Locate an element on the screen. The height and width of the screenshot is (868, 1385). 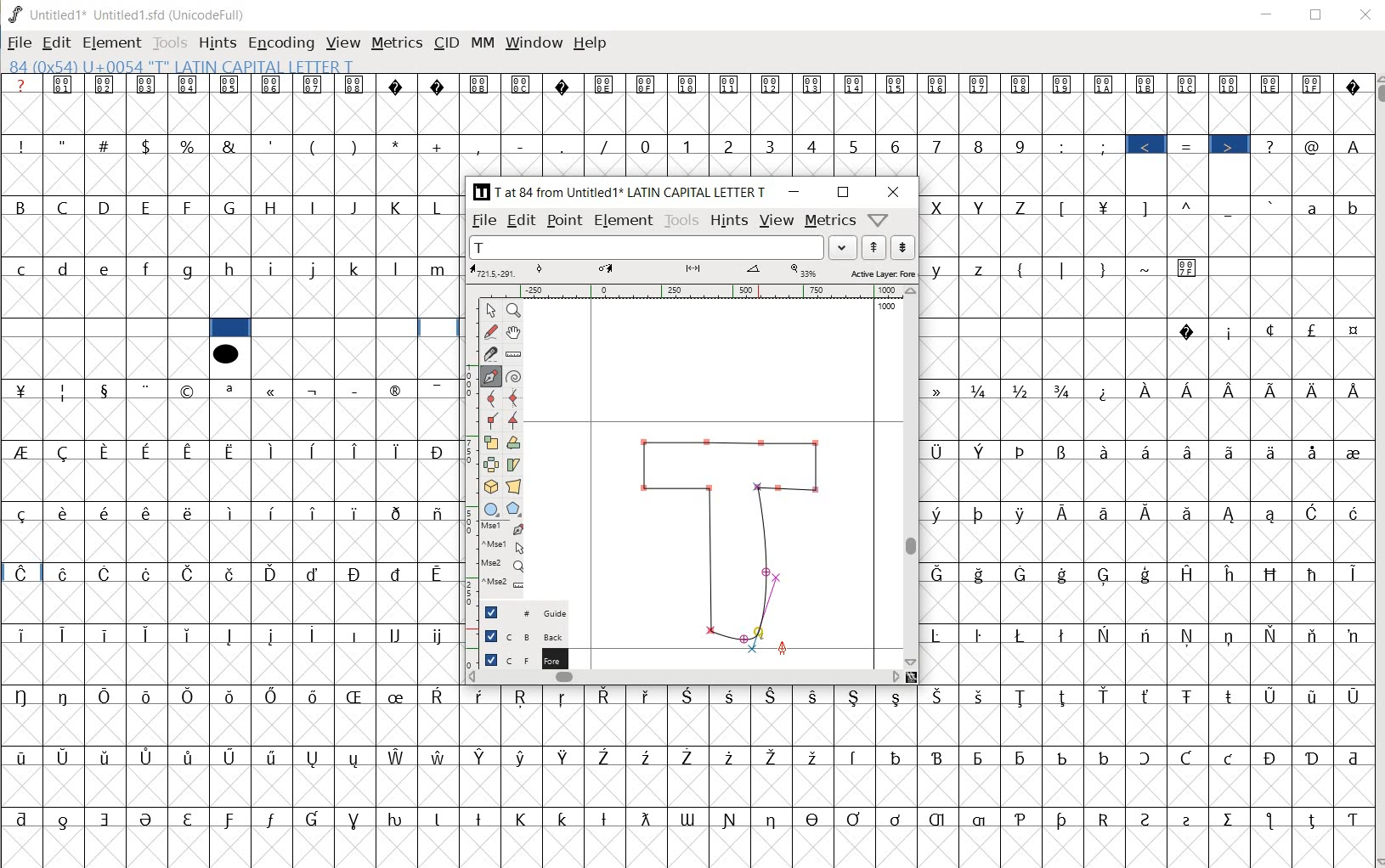
Symbol is located at coordinates (732, 695).